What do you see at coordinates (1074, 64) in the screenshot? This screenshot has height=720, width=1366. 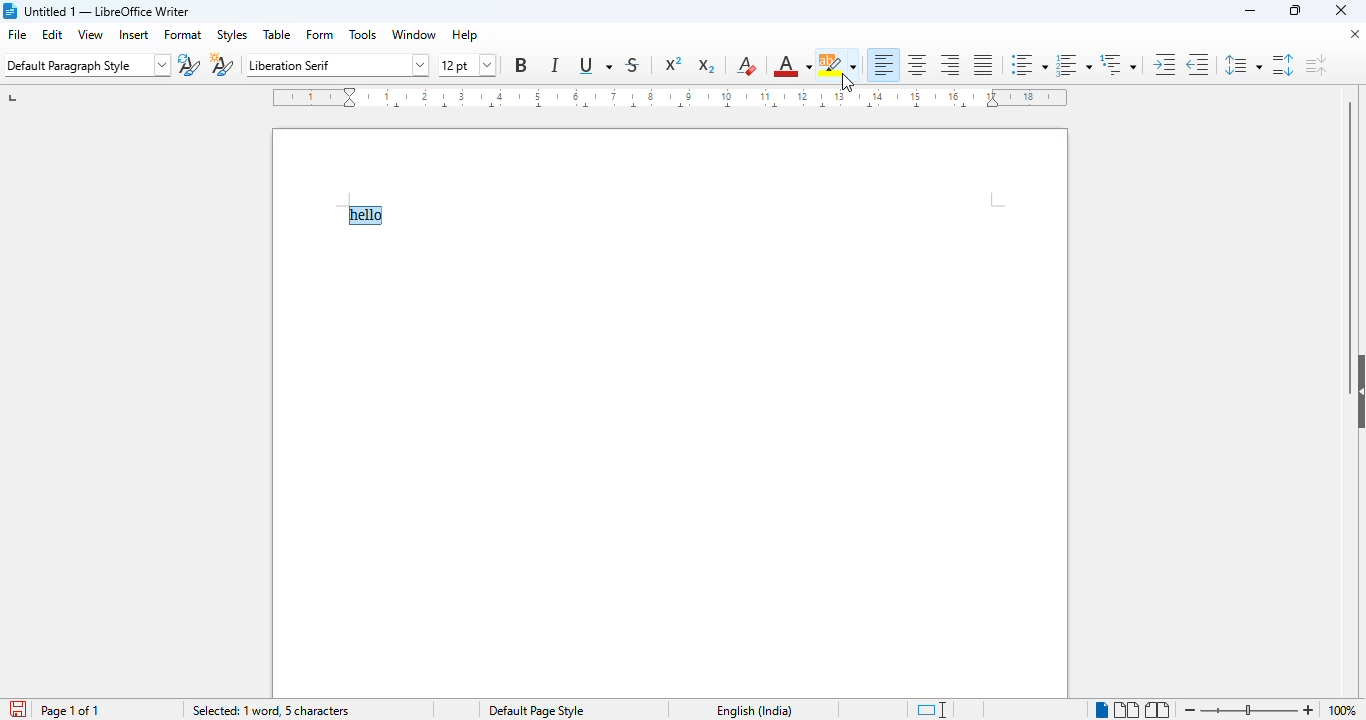 I see `toggle ordered list` at bounding box center [1074, 64].